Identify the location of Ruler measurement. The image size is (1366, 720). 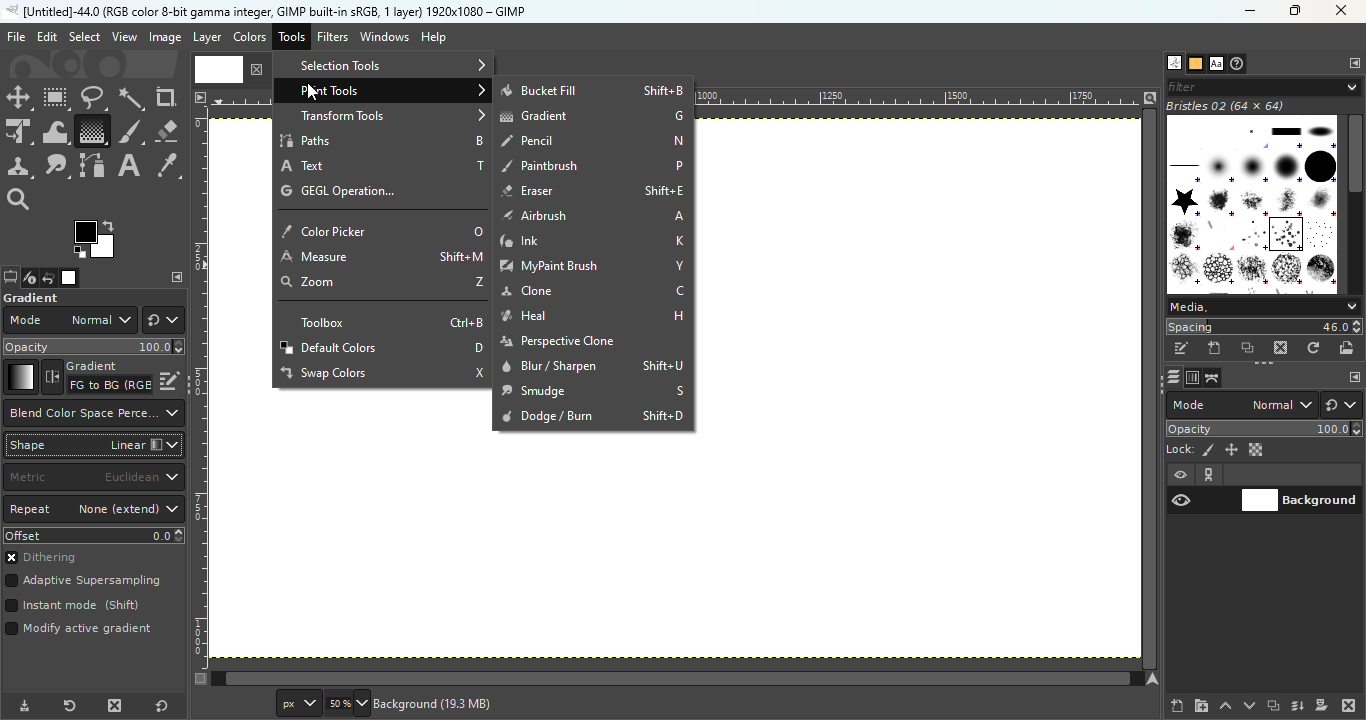
(295, 704).